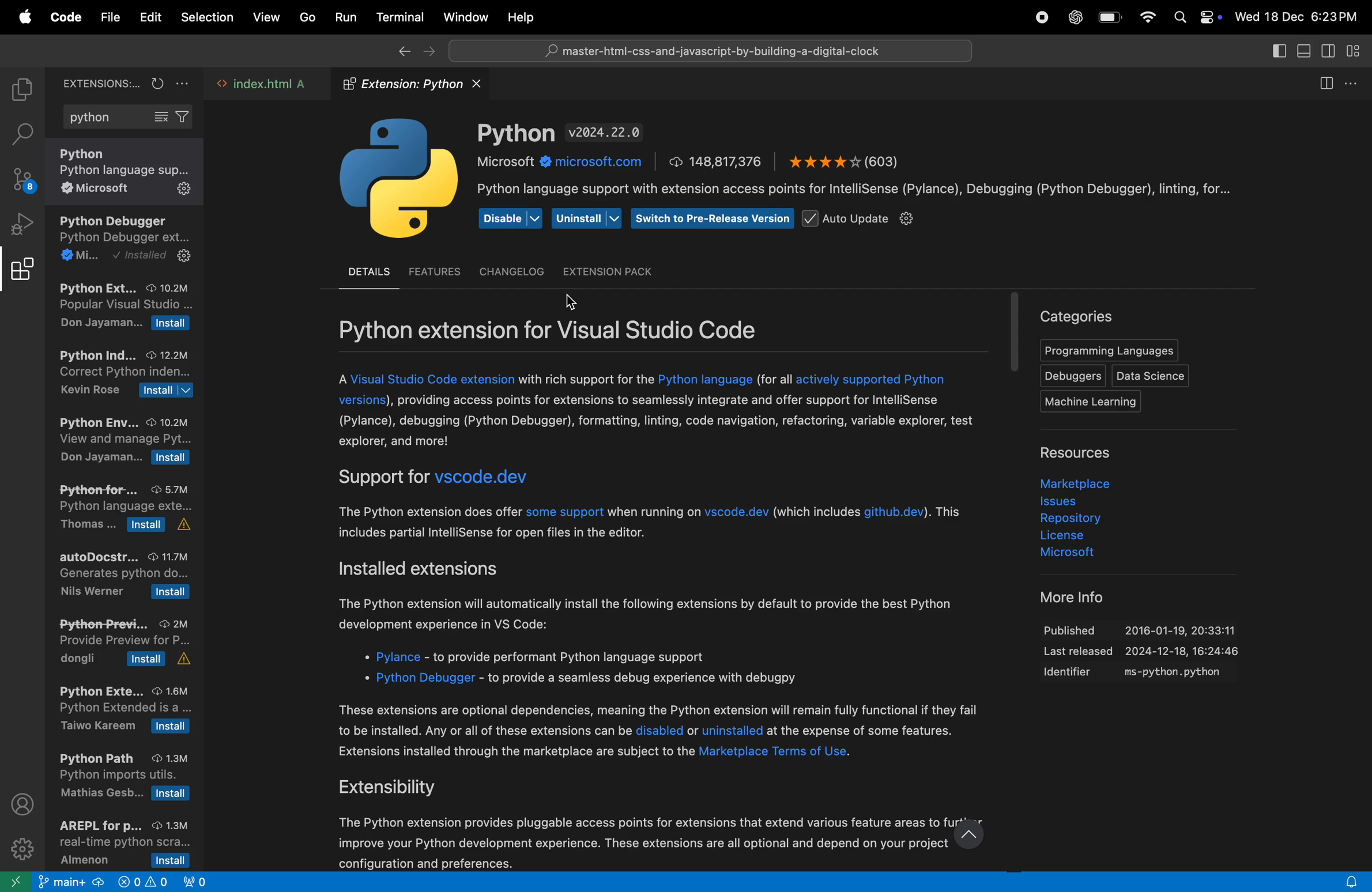 Image resolution: width=1372 pixels, height=892 pixels. Describe the element at coordinates (125, 575) in the screenshot. I see `auto docstrat ` at that location.